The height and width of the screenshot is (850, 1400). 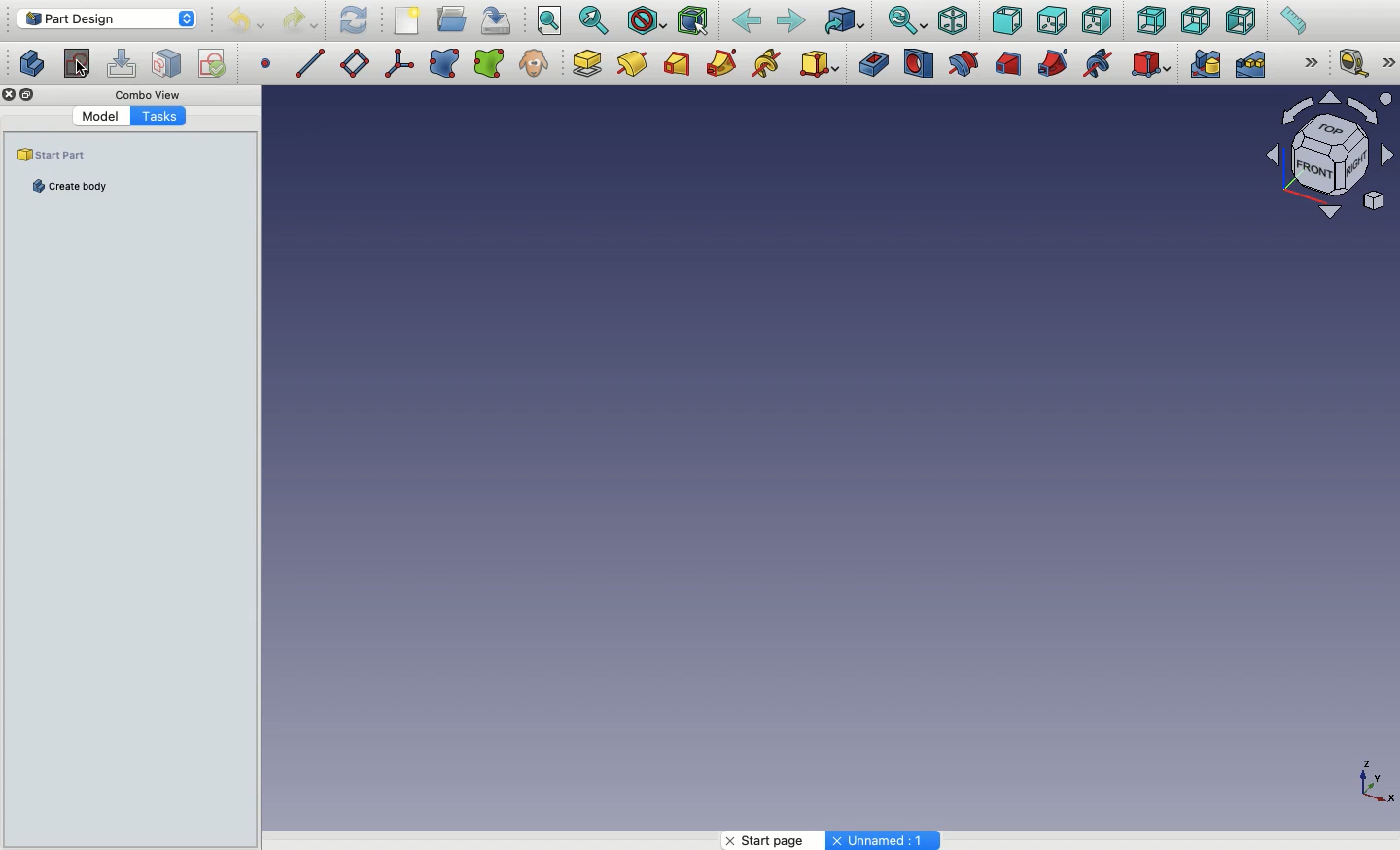 I want to click on Redo, so click(x=303, y=20).